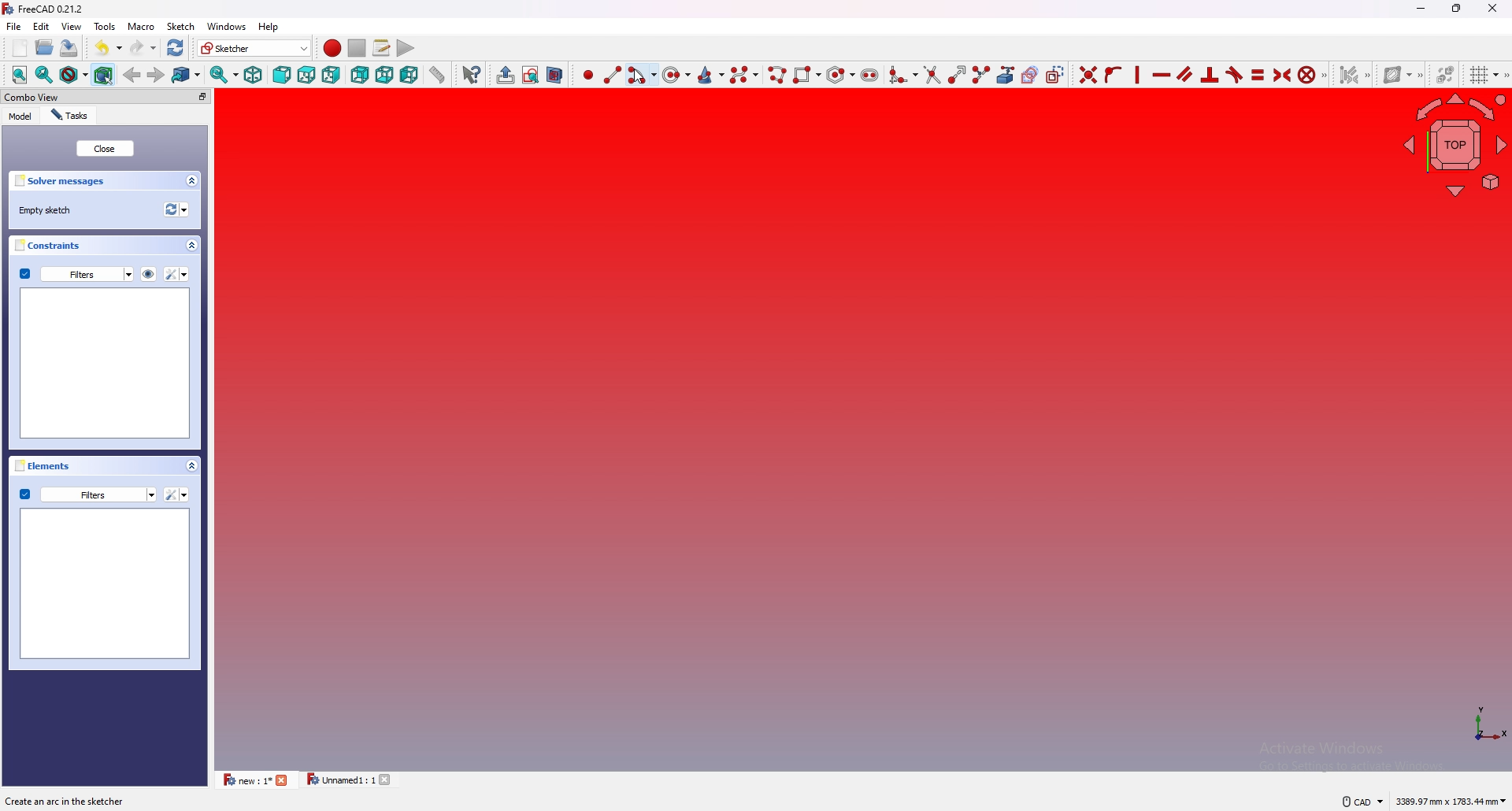 The height and width of the screenshot is (811, 1512). I want to click on new : 1*, so click(246, 780).